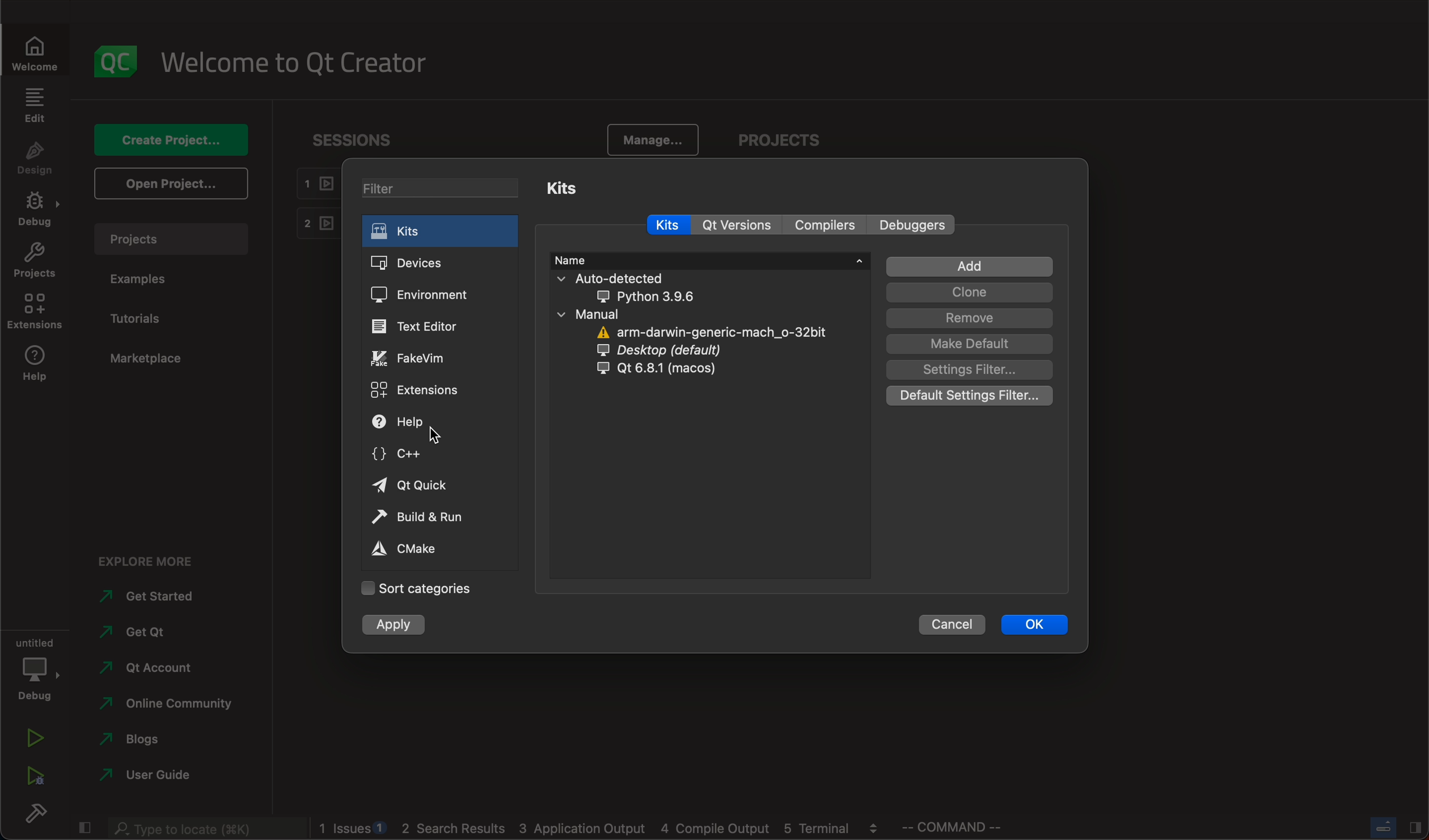  I want to click on vim, so click(422, 357).